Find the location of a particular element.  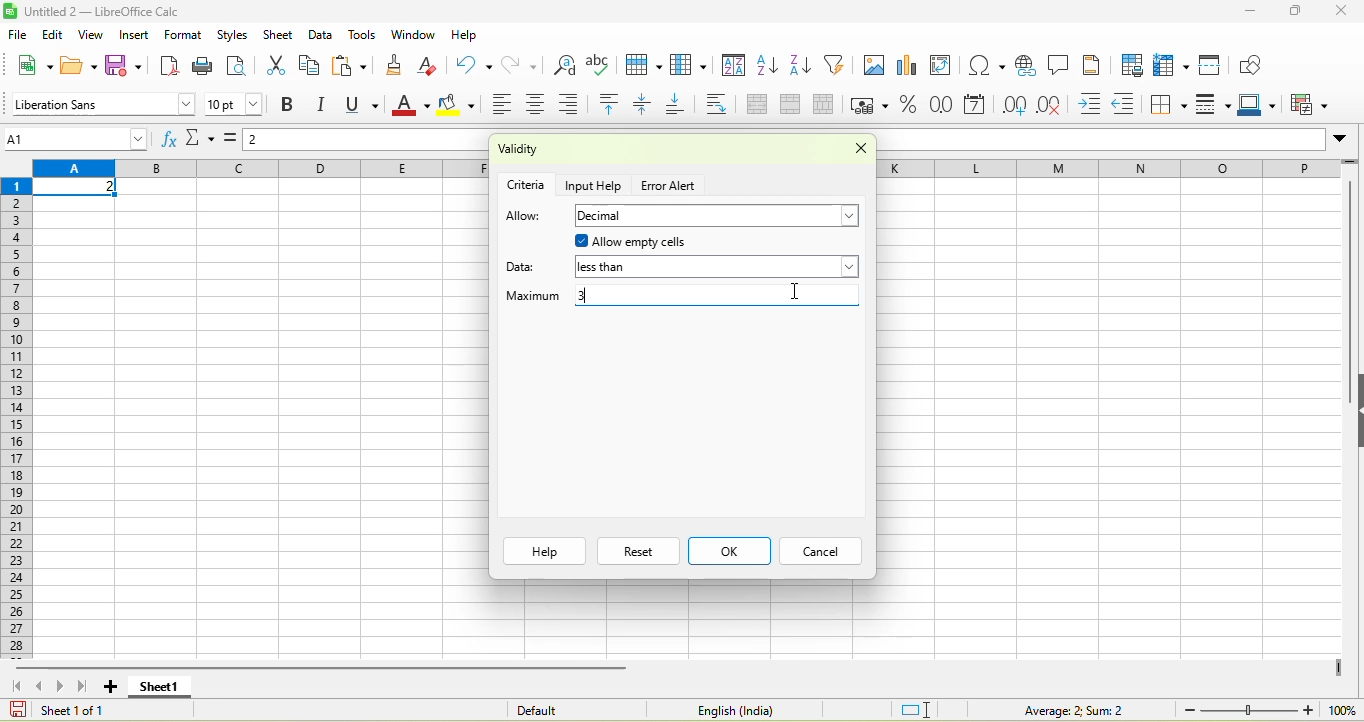

scroll to previous sheet is located at coordinates (41, 686).